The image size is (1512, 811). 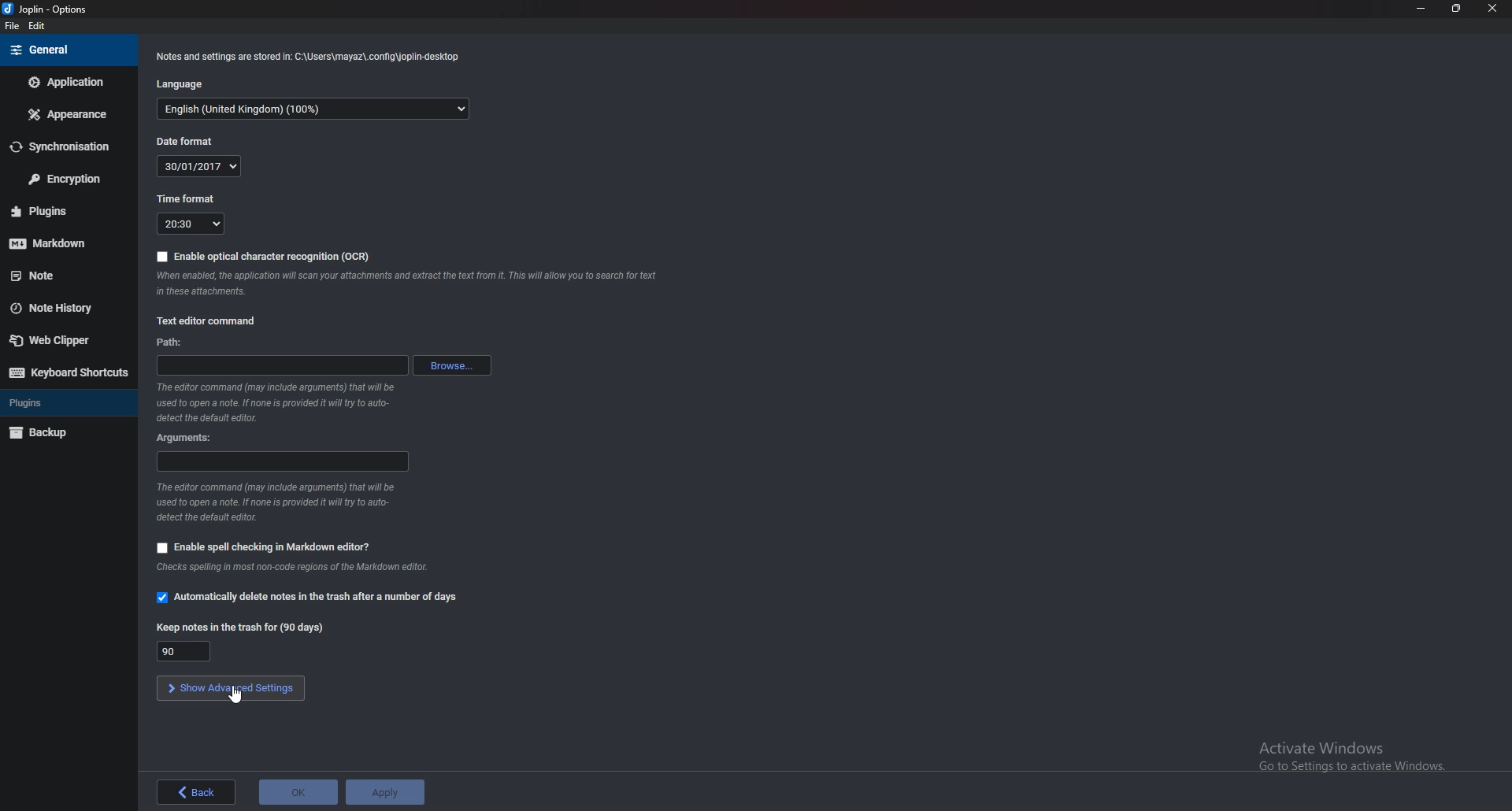 I want to click on activate windows, so click(x=1354, y=751).